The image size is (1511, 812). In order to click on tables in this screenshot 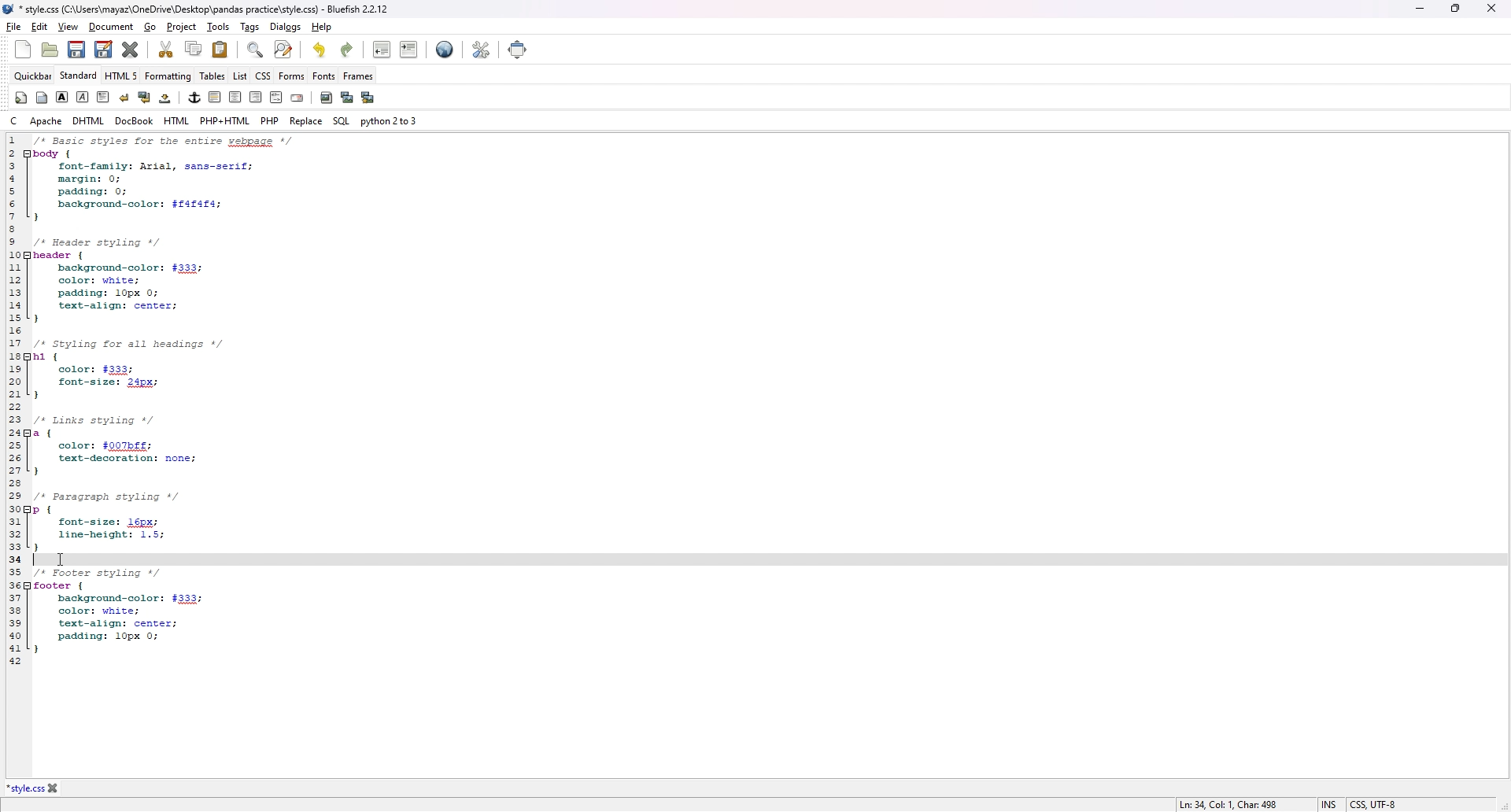, I will do `click(212, 76)`.